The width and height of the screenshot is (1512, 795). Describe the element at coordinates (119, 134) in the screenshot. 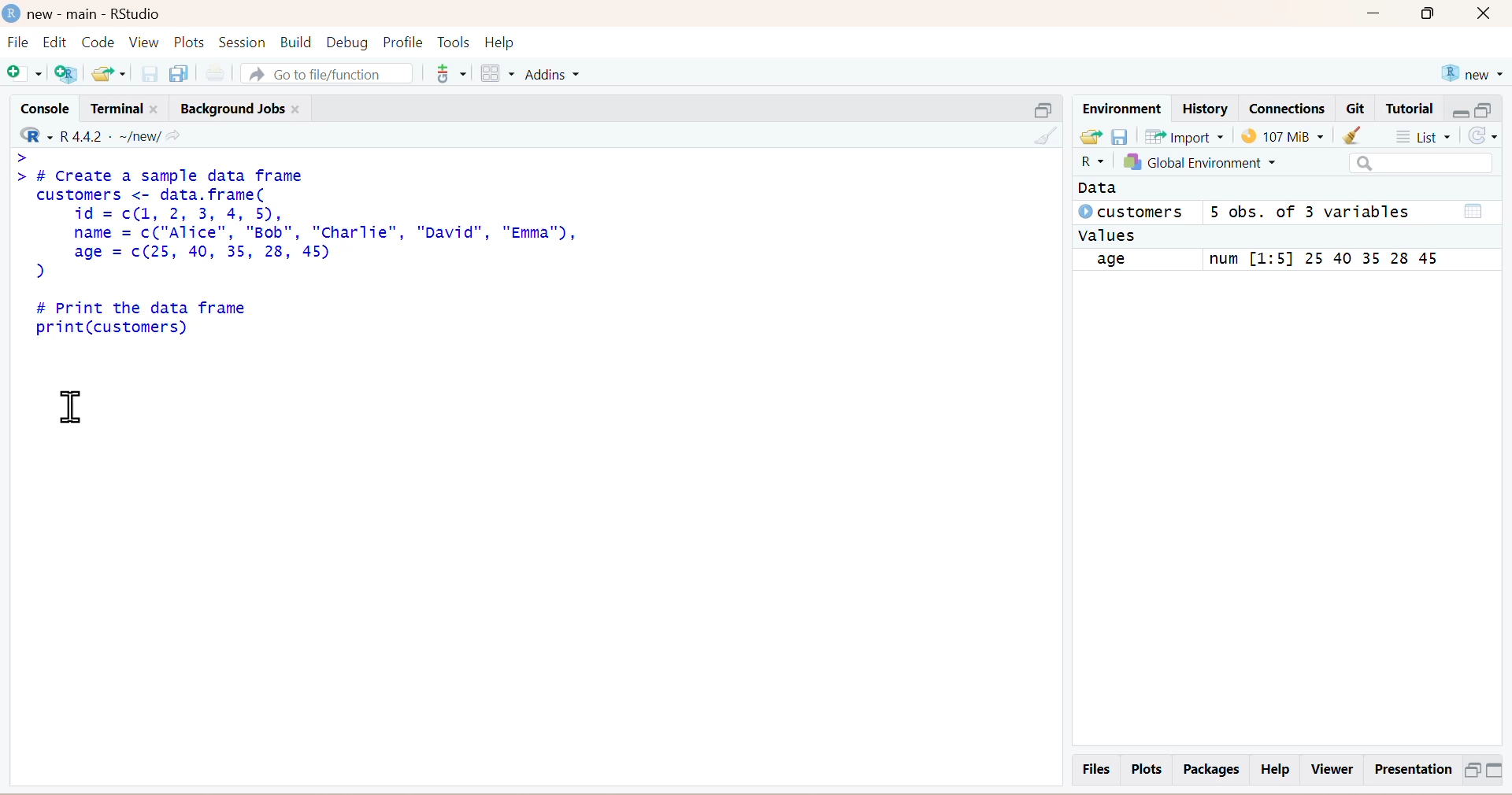

I see `- R442 - ~/new/` at that location.